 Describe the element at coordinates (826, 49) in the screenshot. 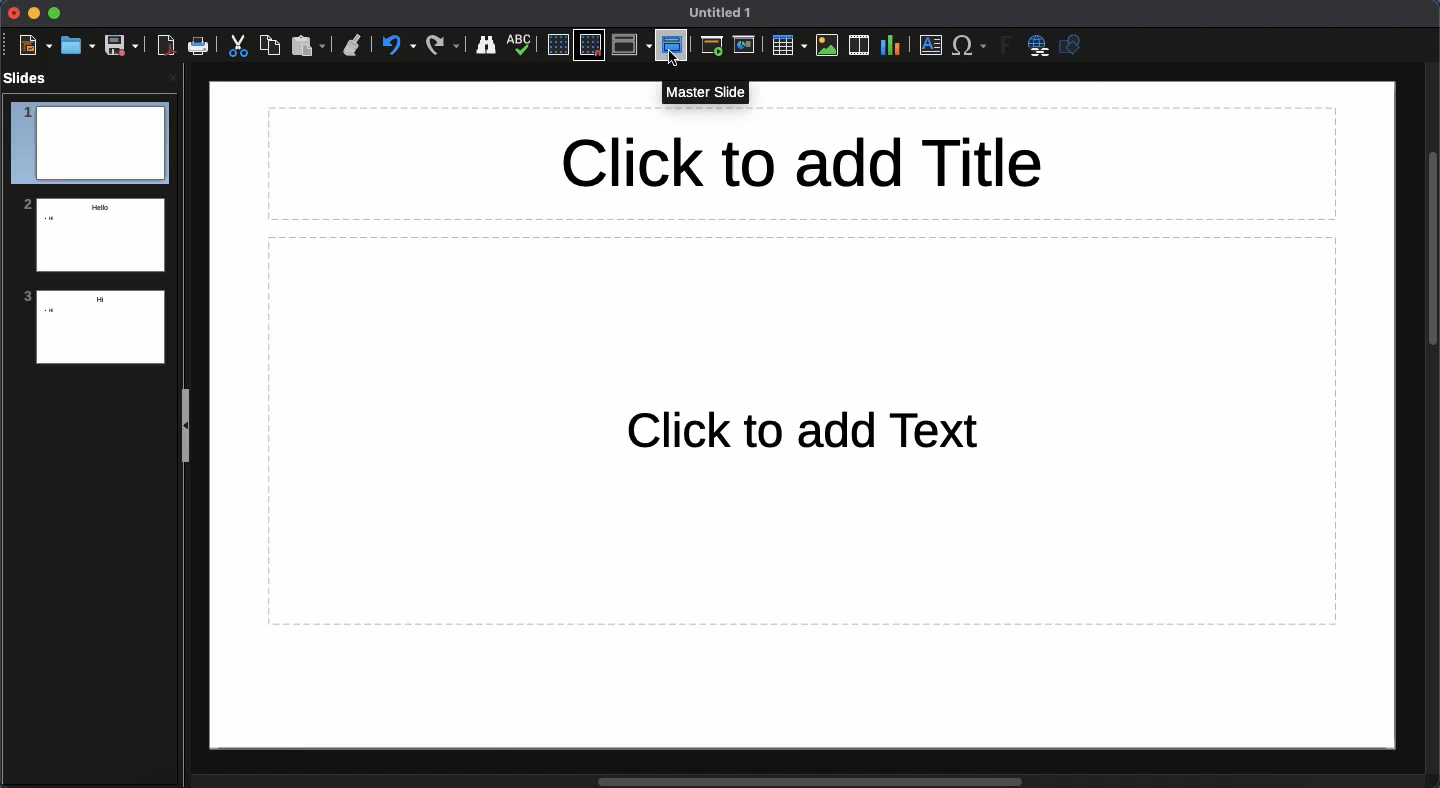

I see `Images` at that location.